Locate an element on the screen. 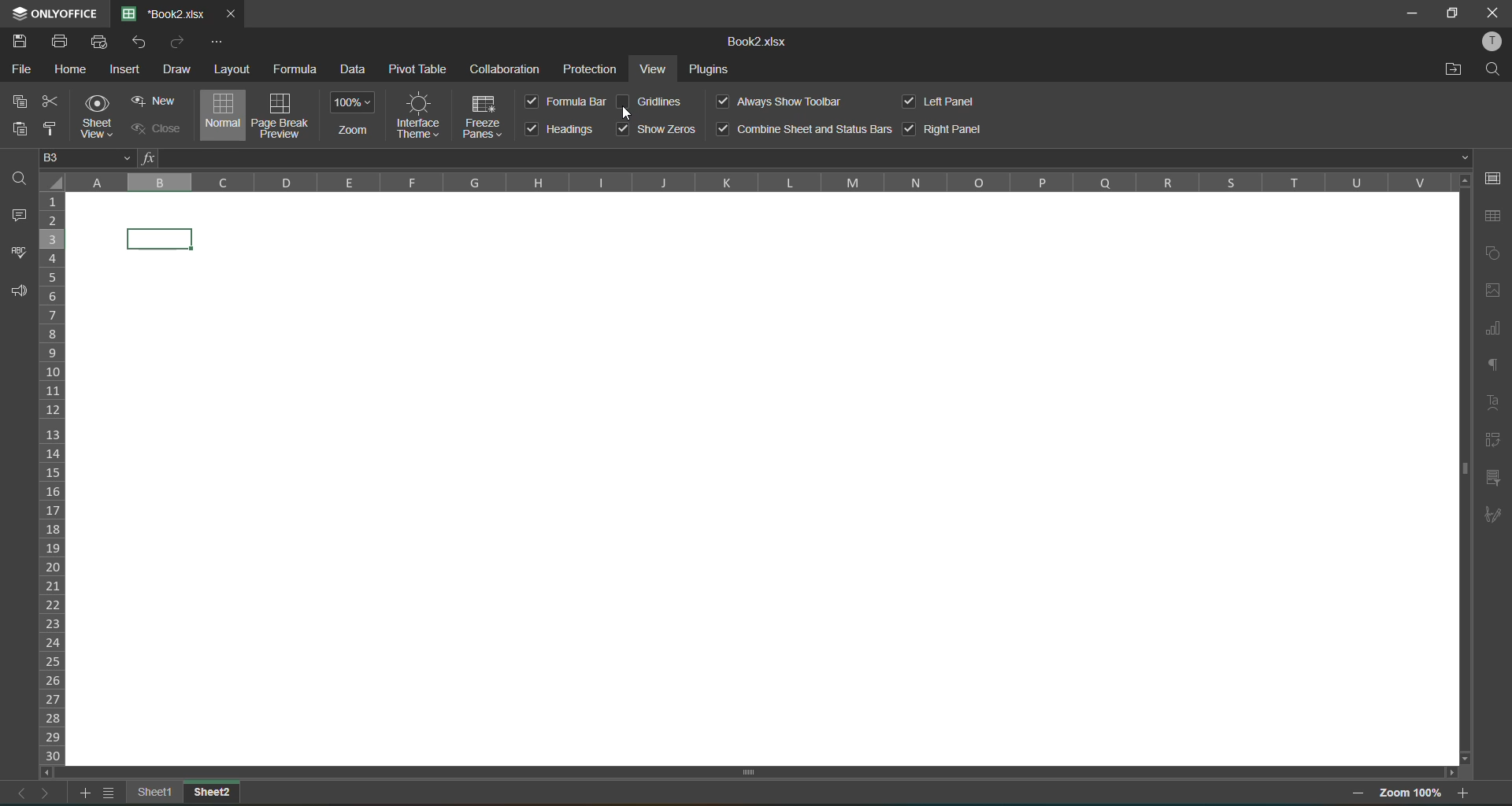  view is located at coordinates (658, 69).